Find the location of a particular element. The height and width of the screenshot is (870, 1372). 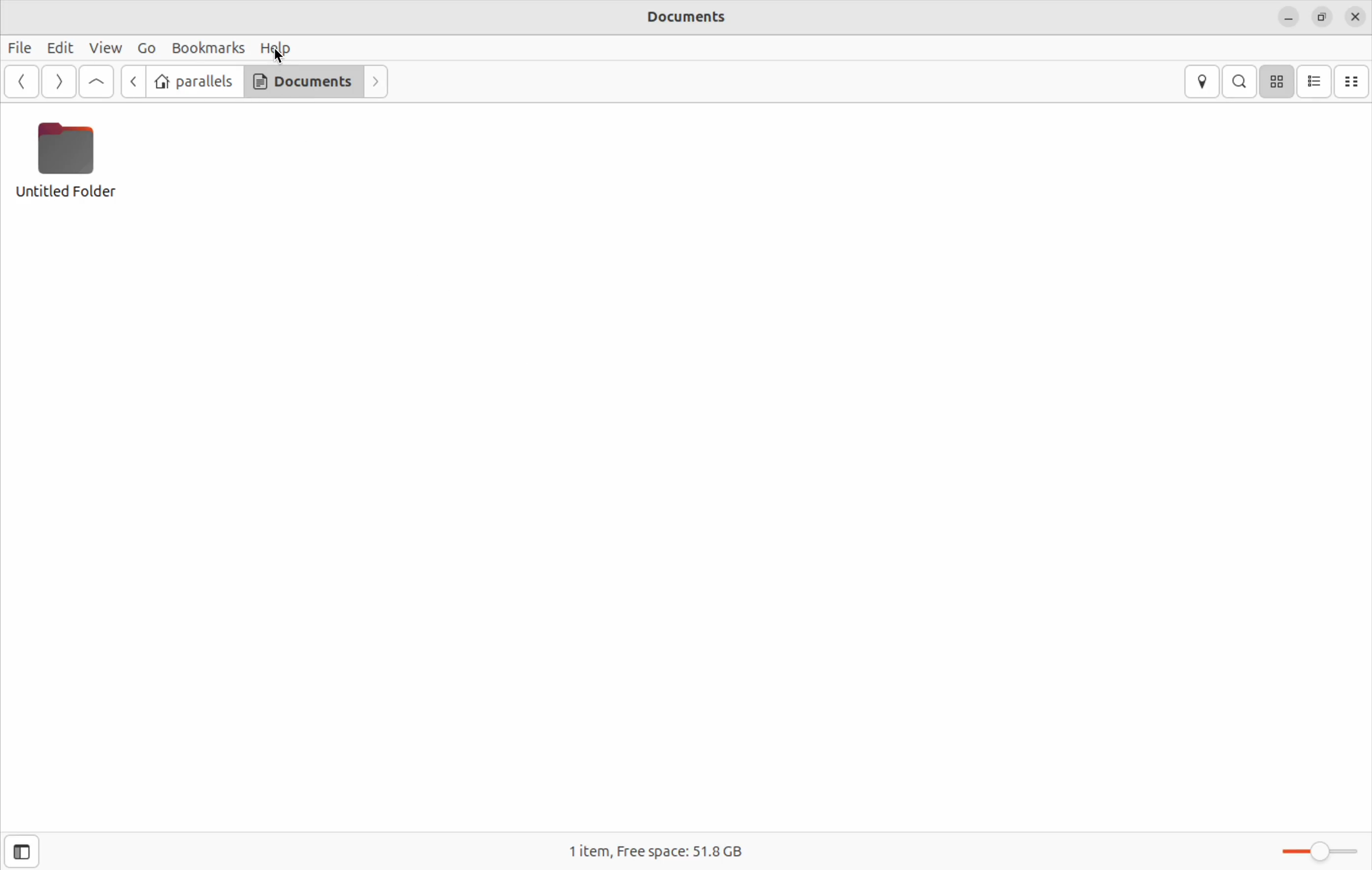

Files is located at coordinates (23, 49).